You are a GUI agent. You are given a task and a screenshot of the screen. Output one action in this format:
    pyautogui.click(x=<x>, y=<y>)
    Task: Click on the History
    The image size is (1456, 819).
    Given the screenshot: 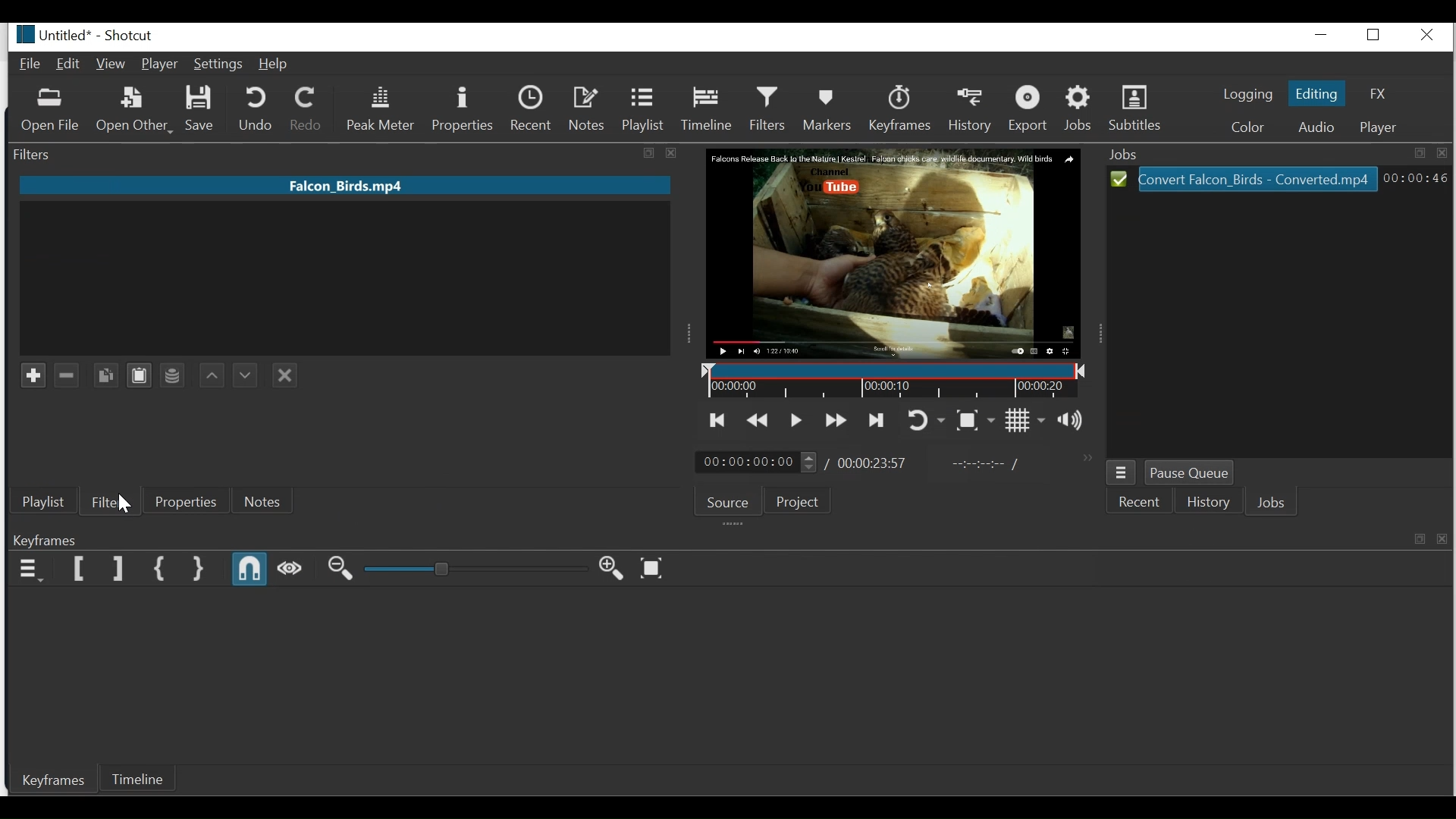 What is the action you would take?
    pyautogui.click(x=972, y=110)
    